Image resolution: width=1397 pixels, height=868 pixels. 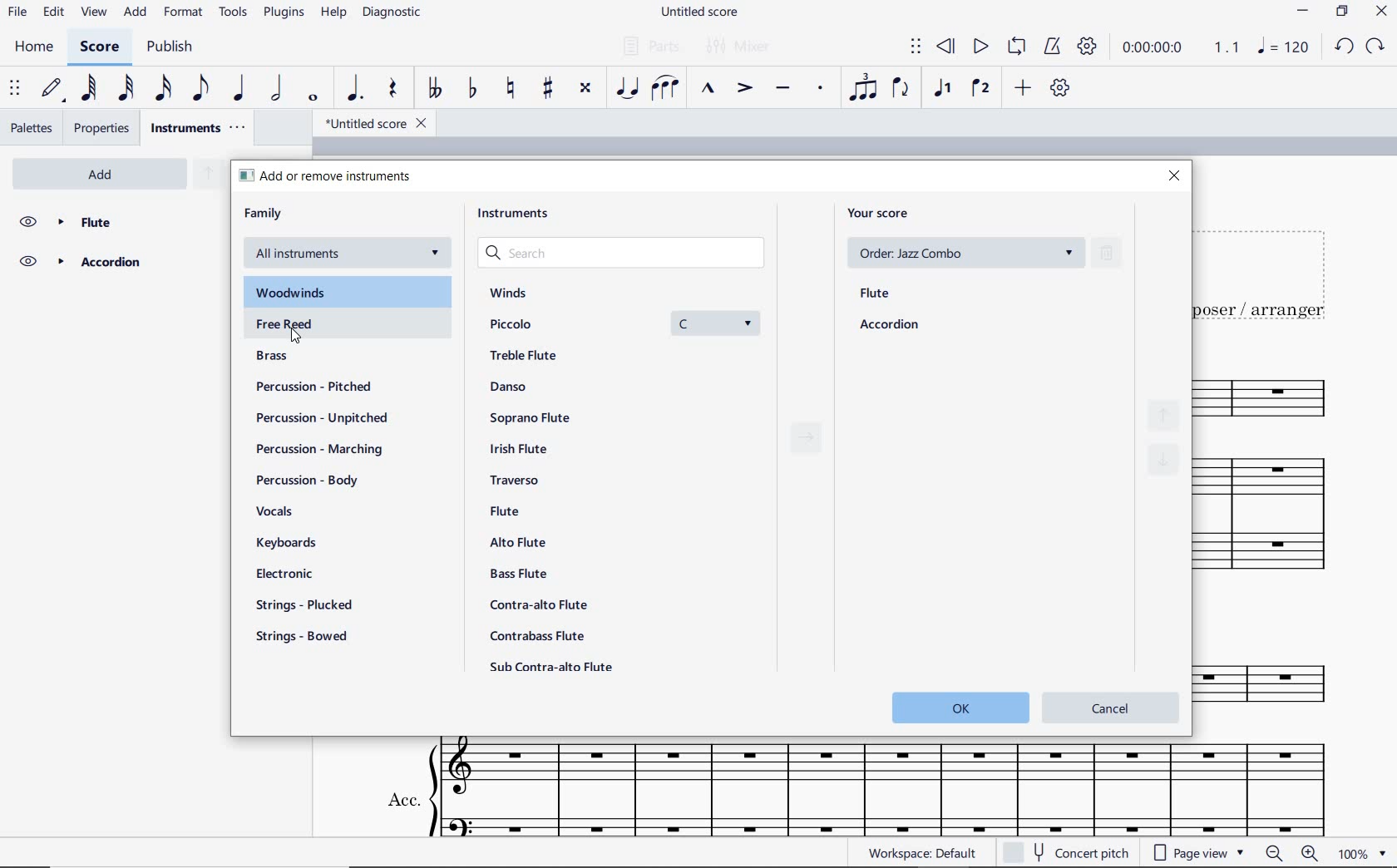 I want to click on strings - plucked, so click(x=304, y=606).